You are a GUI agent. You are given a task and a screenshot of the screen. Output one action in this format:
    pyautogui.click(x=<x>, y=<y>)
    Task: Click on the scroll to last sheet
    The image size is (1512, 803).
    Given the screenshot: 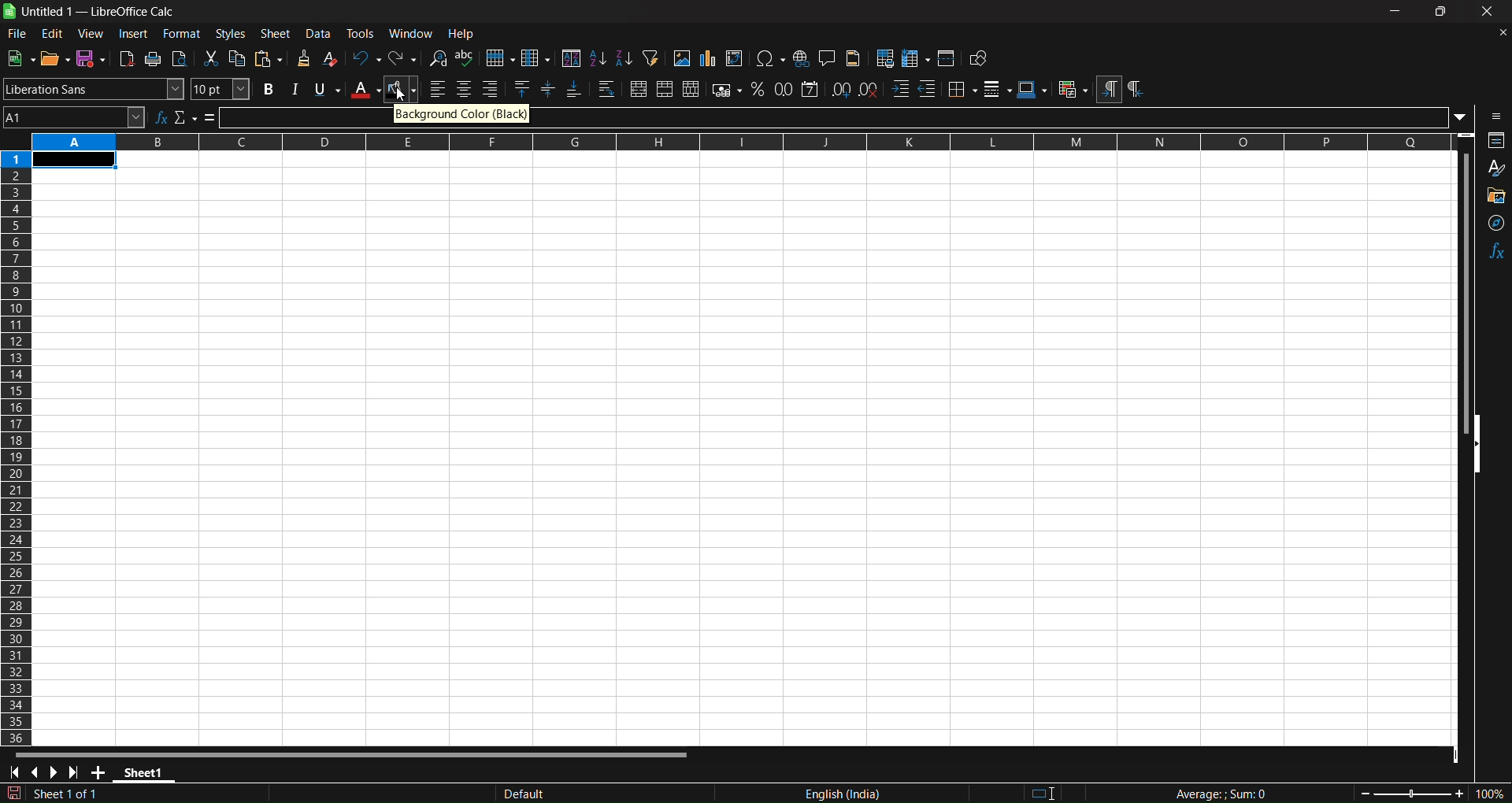 What is the action you would take?
    pyautogui.click(x=77, y=773)
    